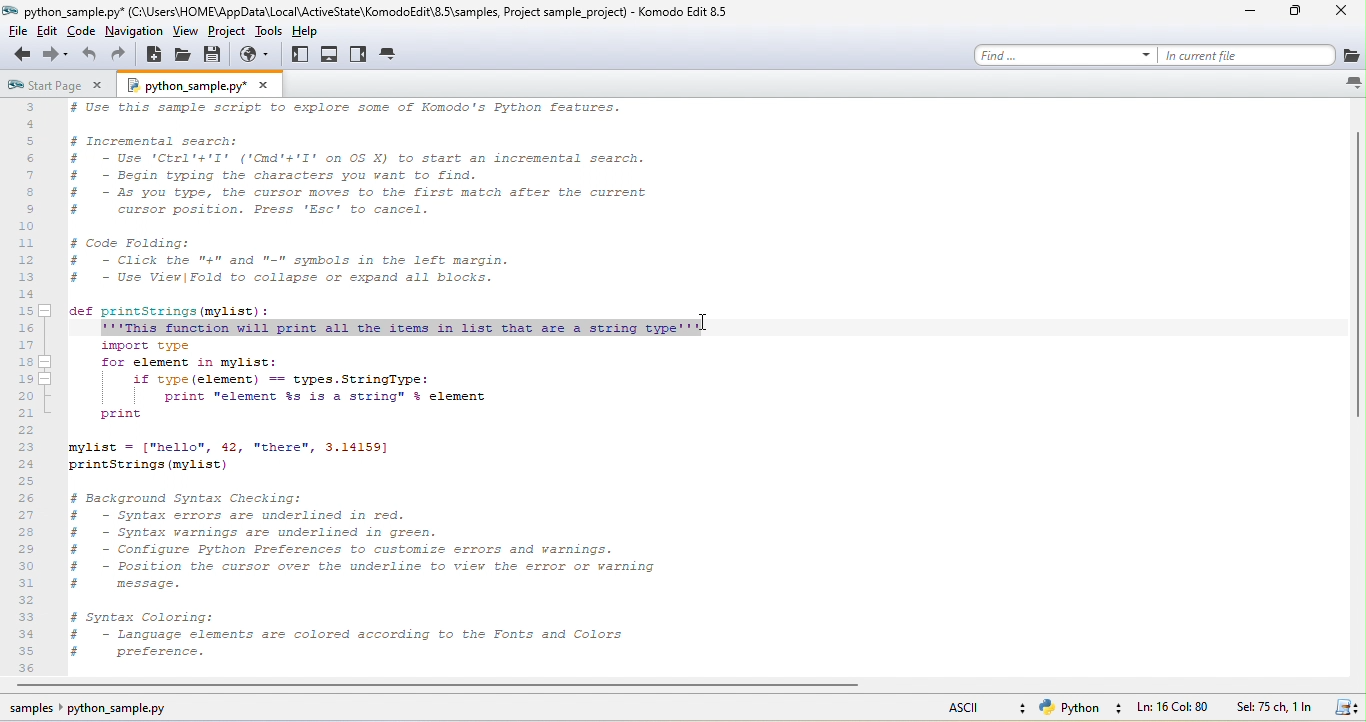  Describe the element at coordinates (1299, 15) in the screenshot. I see `maximize` at that location.